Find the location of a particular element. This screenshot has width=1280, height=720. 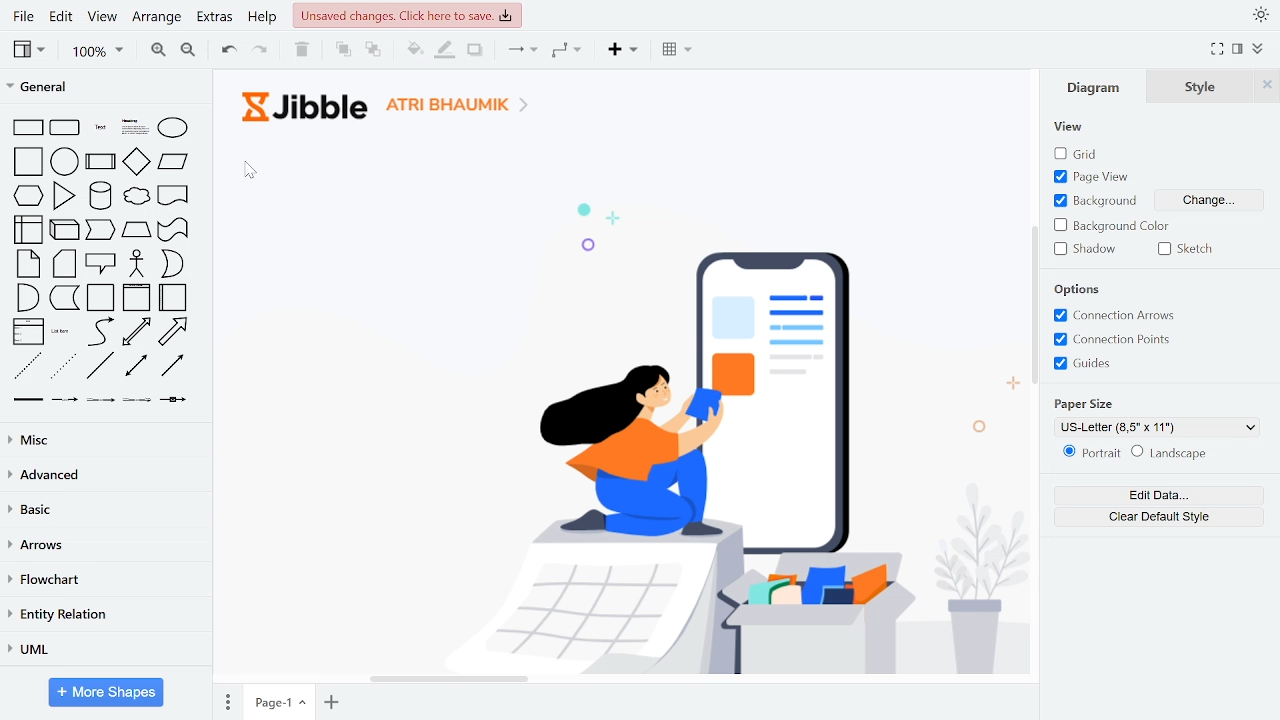

general shapes is located at coordinates (134, 399).